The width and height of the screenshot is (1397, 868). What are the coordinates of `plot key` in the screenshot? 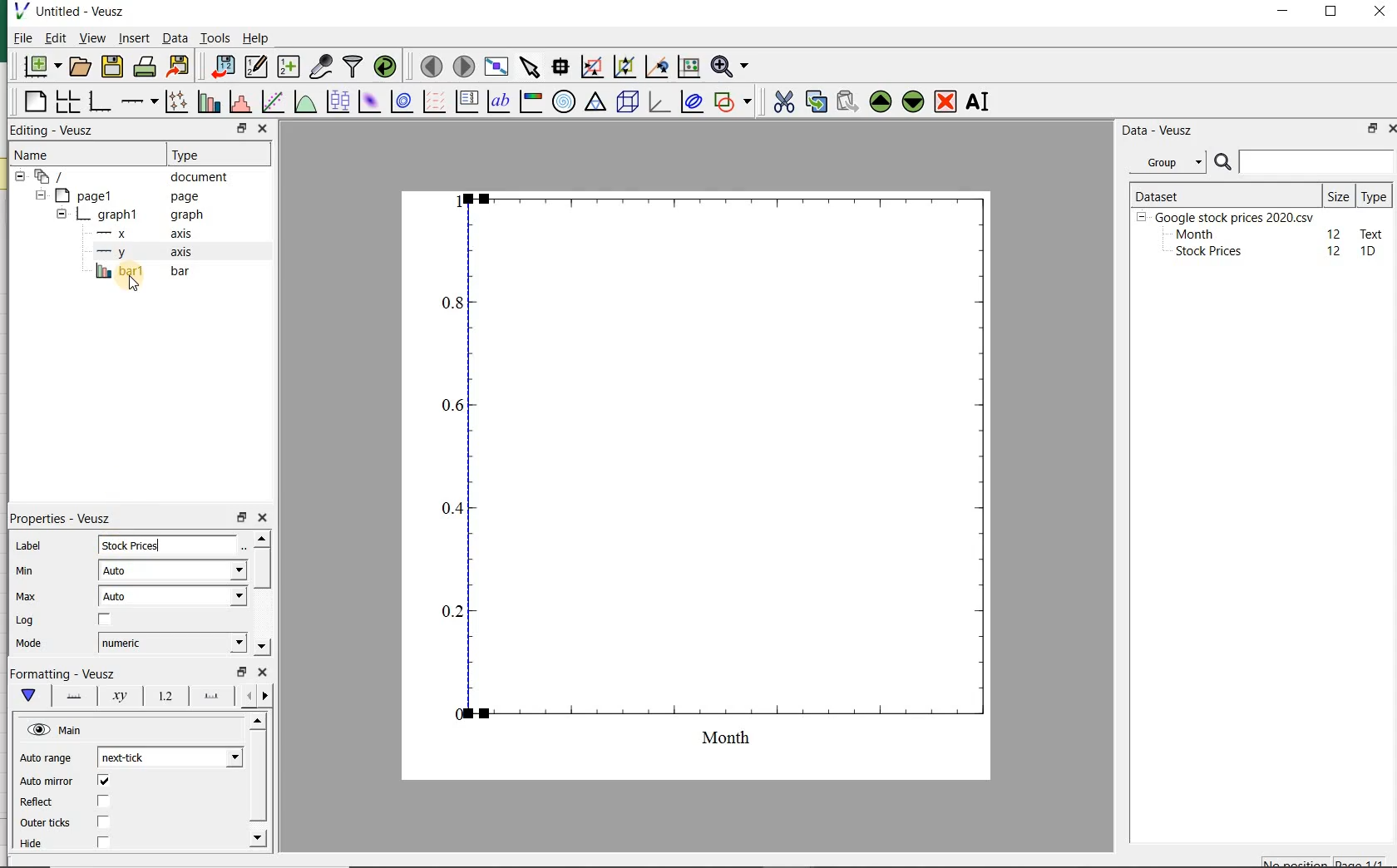 It's located at (466, 103).